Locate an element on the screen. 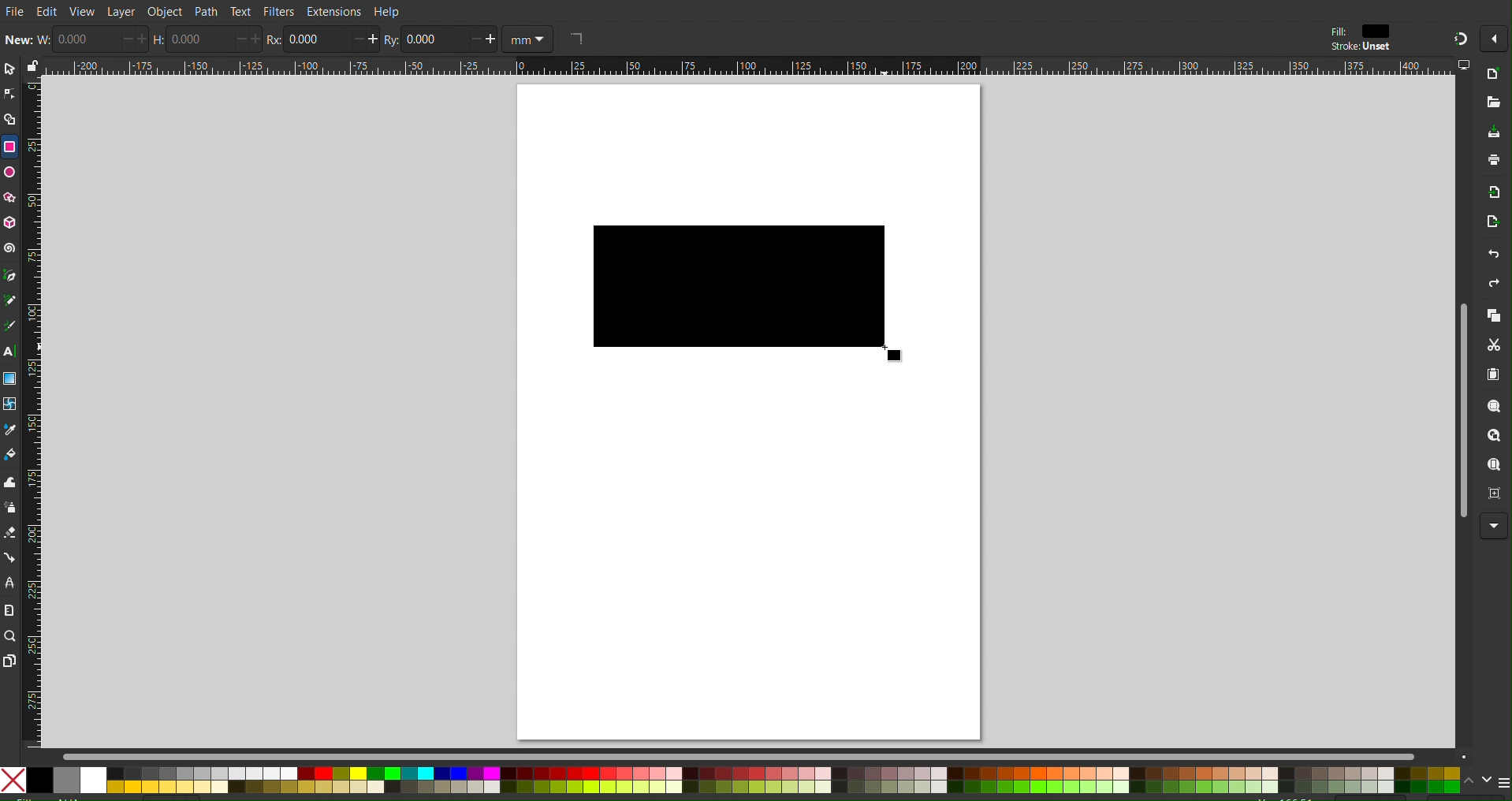 Image resolution: width=1512 pixels, height=801 pixels. Horizontal Ruler is located at coordinates (748, 68).